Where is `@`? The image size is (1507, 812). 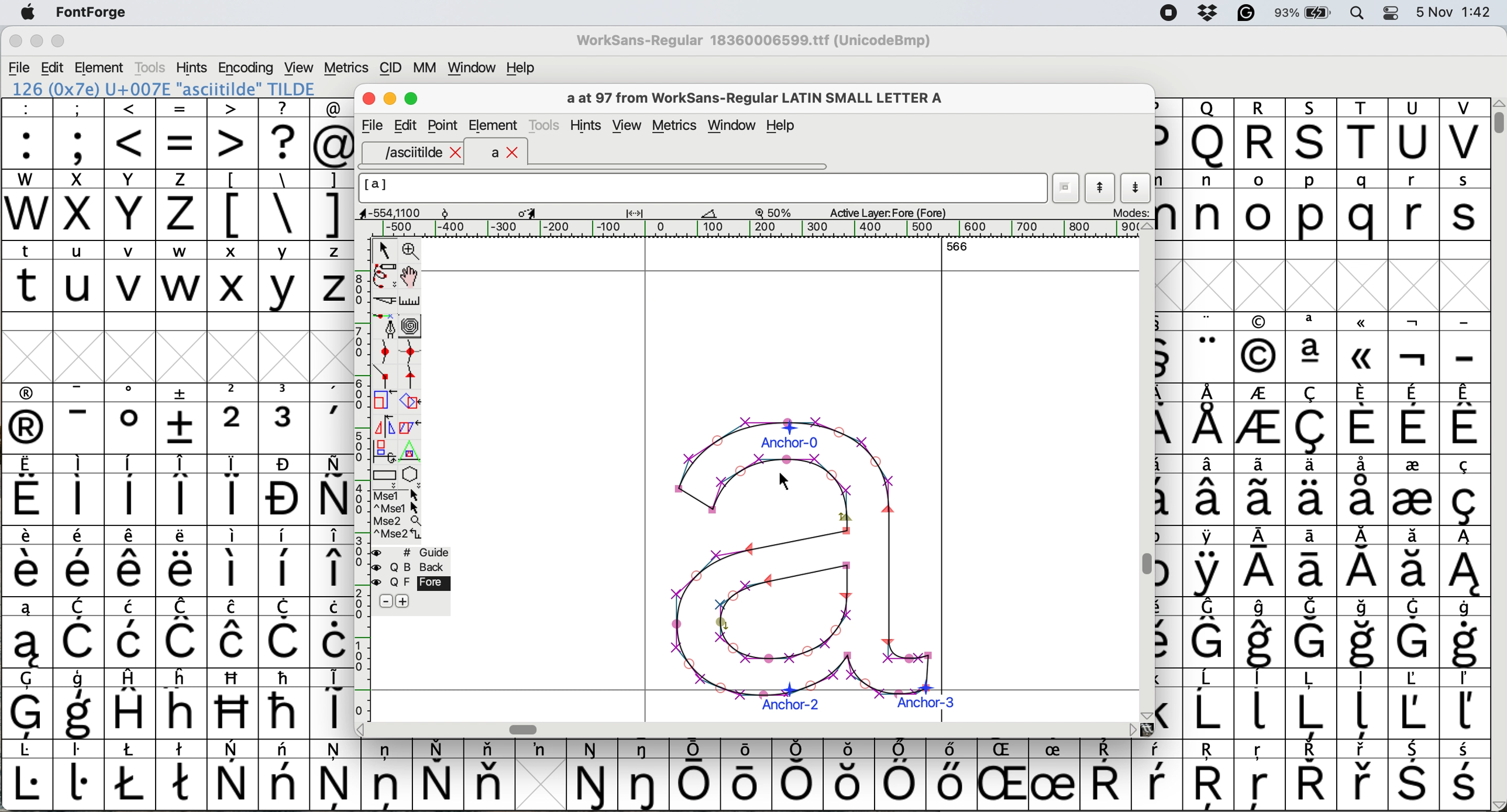
@ is located at coordinates (333, 134).